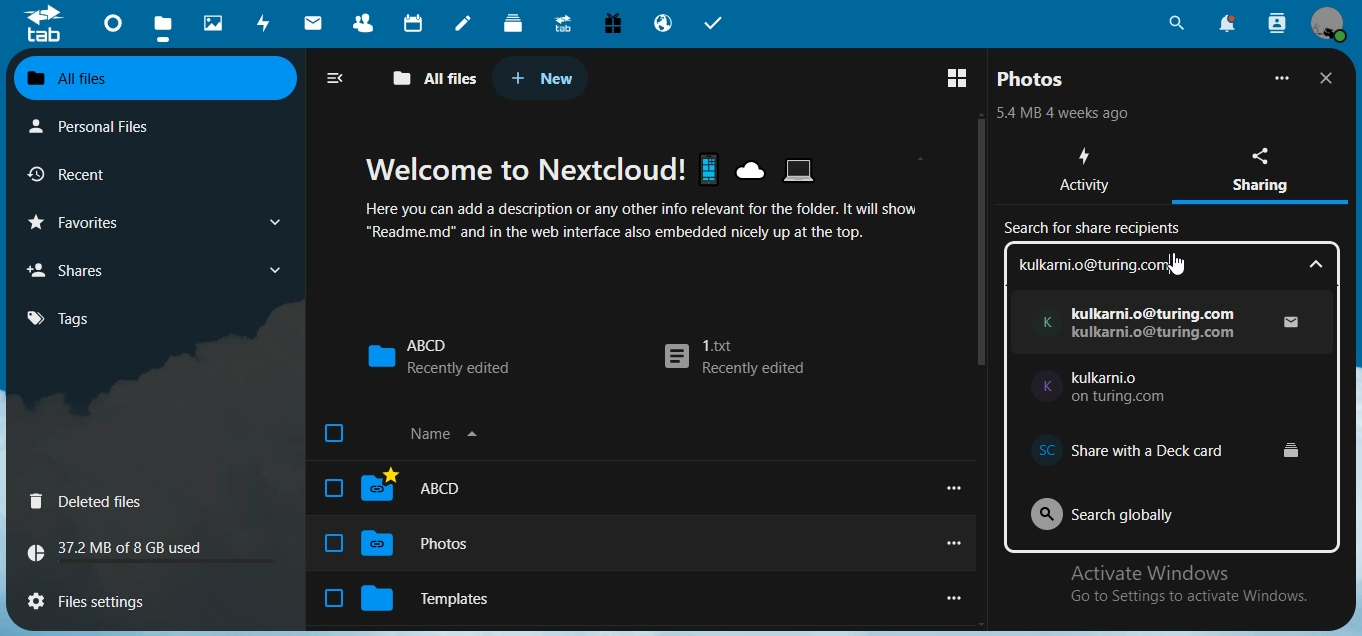 The image size is (1362, 636). I want to click on upgrade, so click(567, 26).